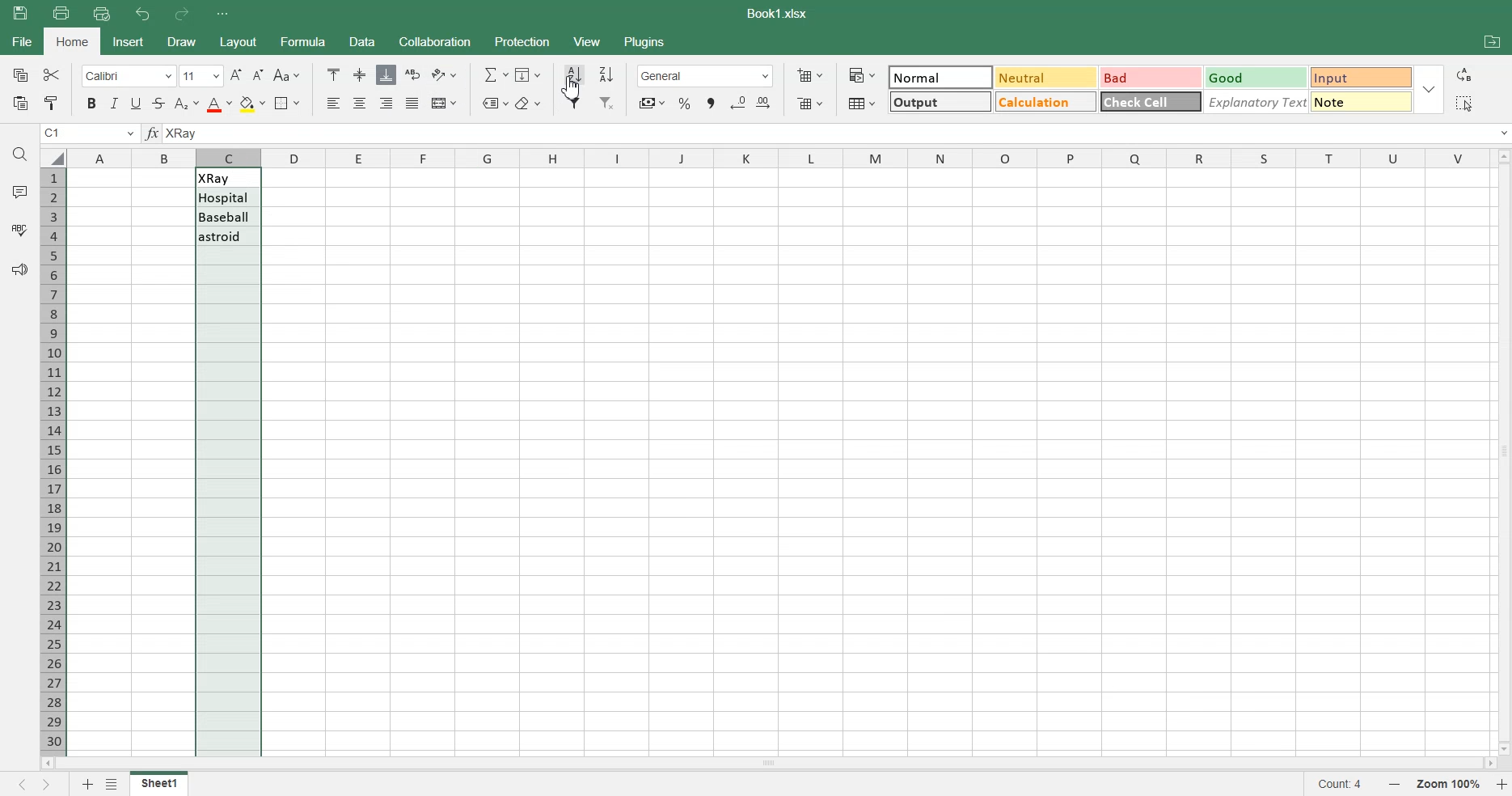 This screenshot has width=1512, height=796. What do you see at coordinates (521, 41) in the screenshot?
I see `Protection` at bounding box center [521, 41].